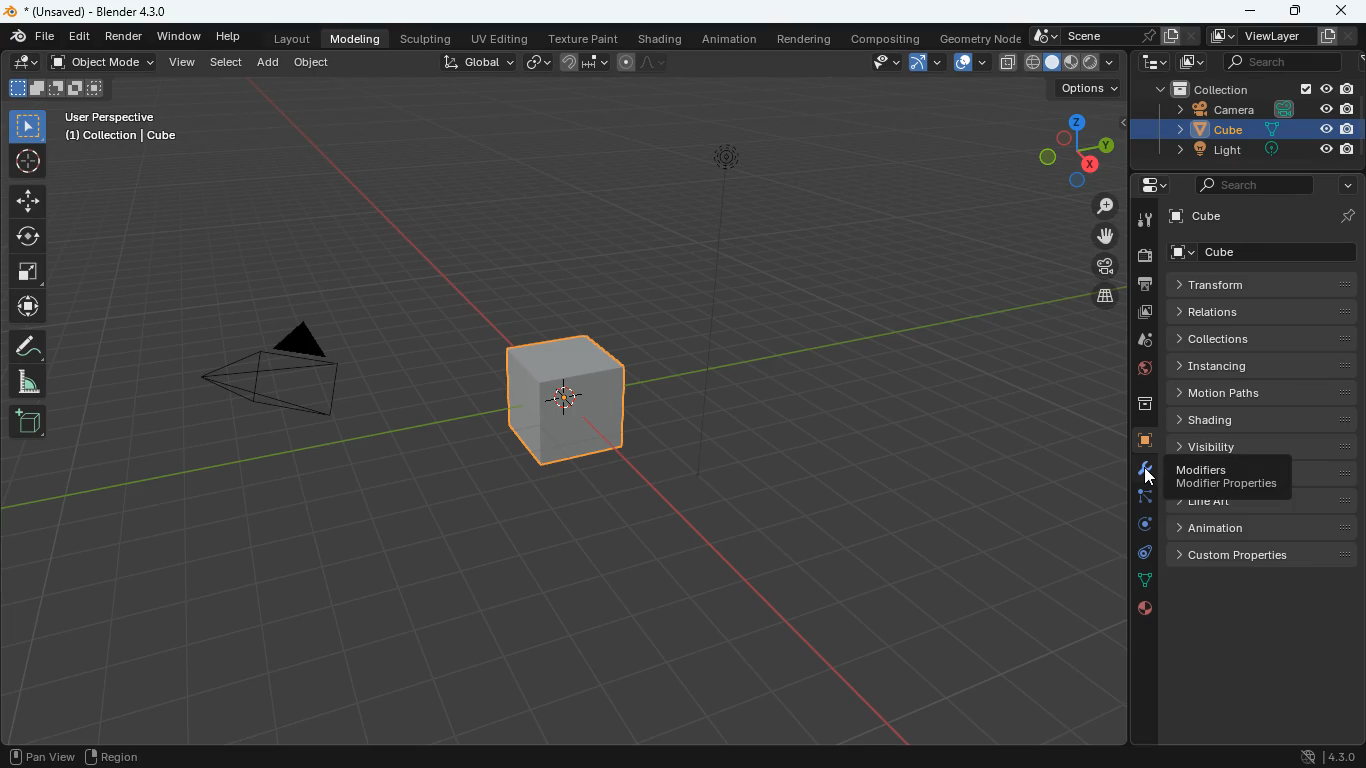  Describe the element at coordinates (39, 755) in the screenshot. I see `pan view` at that location.